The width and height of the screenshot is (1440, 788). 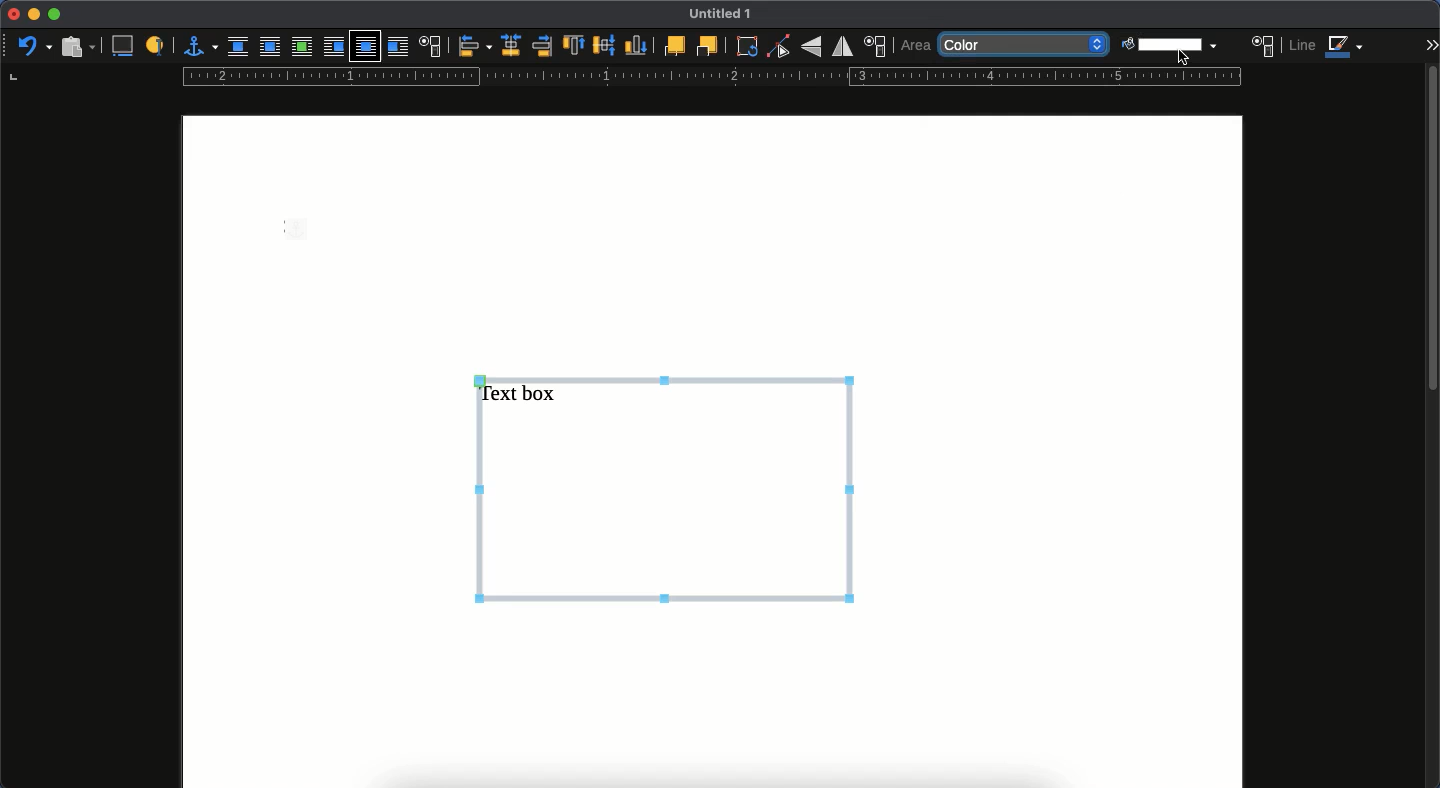 What do you see at coordinates (1264, 45) in the screenshot?
I see `area` at bounding box center [1264, 45].